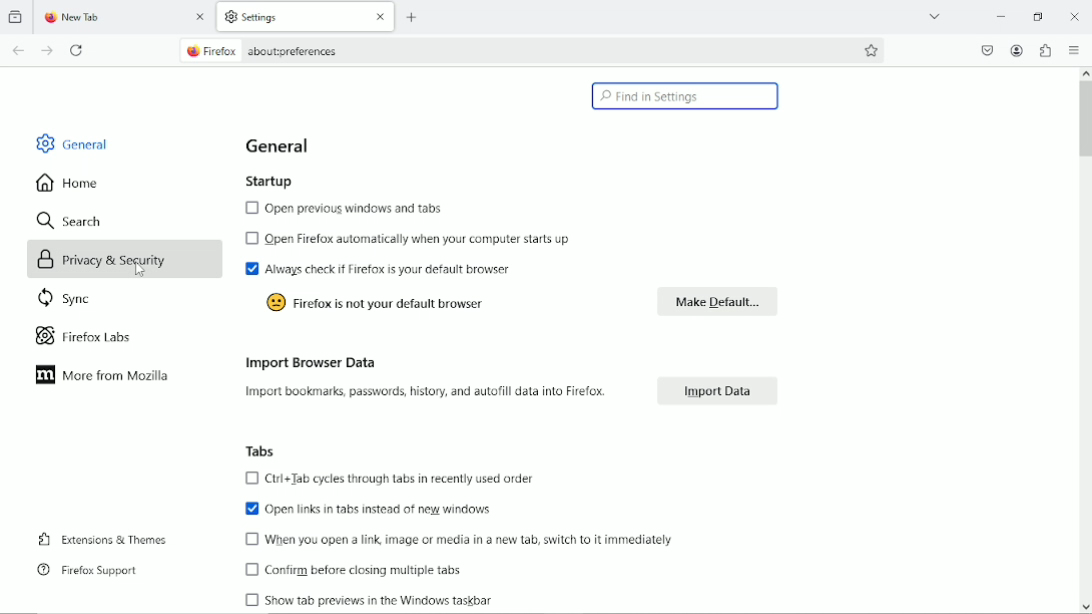 This screenshot has height=614, width=1092. Describe the element at coordinates (1038, 14) in the screenshot. I see `restore down` at that location.